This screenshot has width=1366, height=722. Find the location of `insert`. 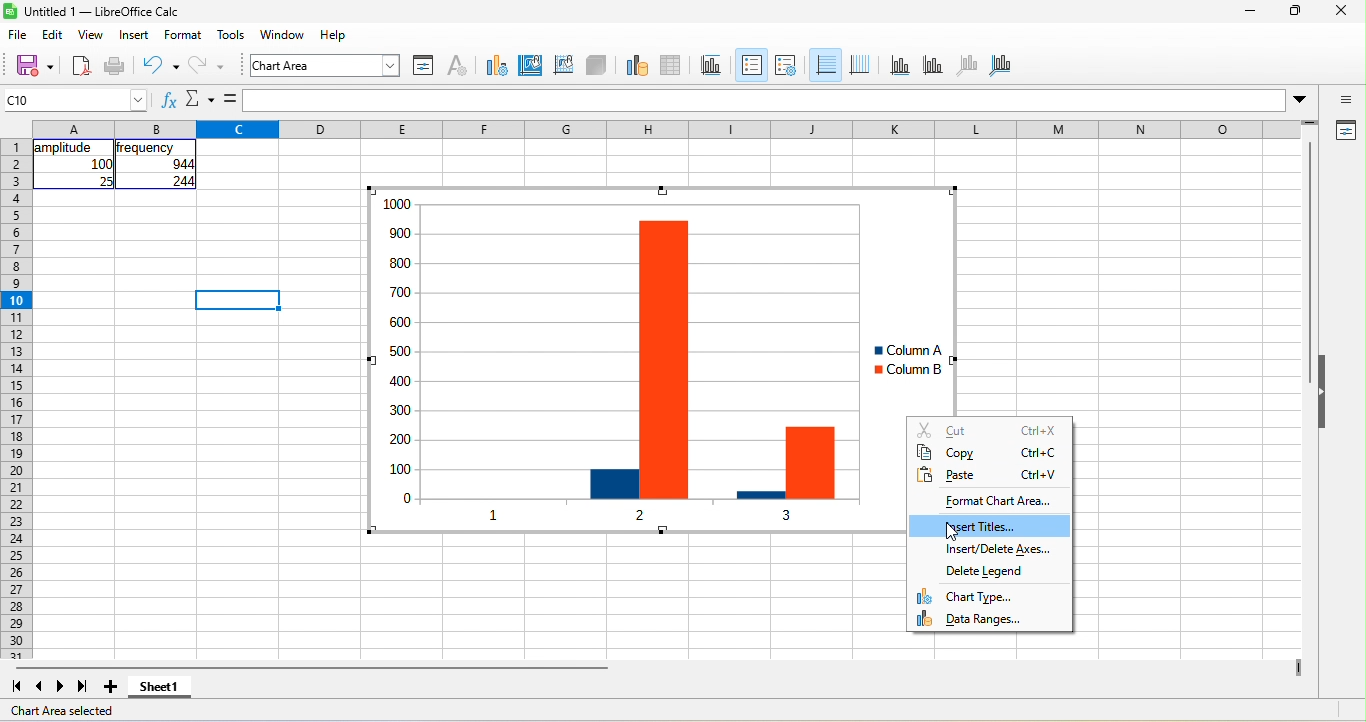

insert is located at coordinates (134, 34).